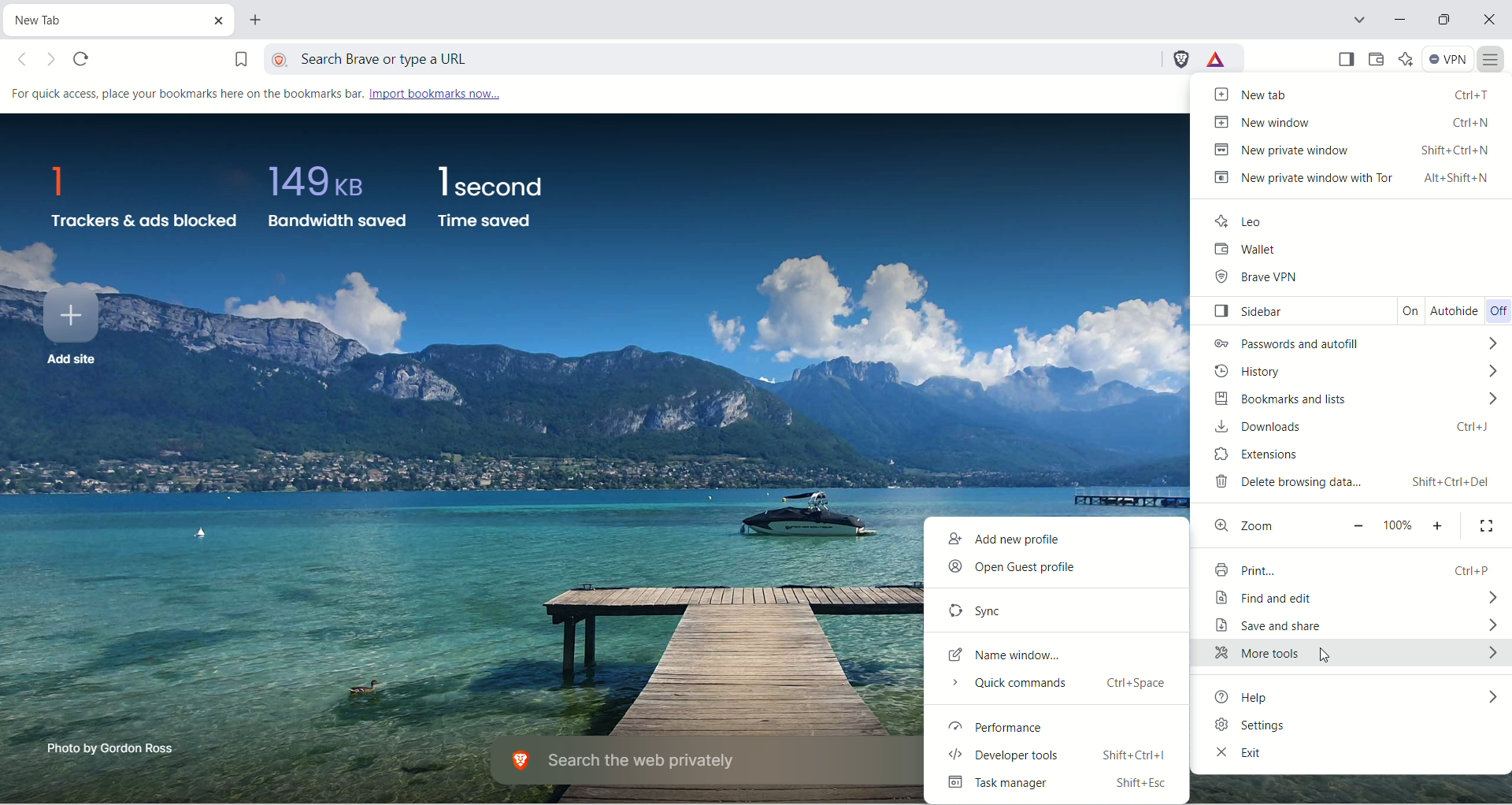 The image size is (1512, 805). I want to click on lei, so click(1333, 218).